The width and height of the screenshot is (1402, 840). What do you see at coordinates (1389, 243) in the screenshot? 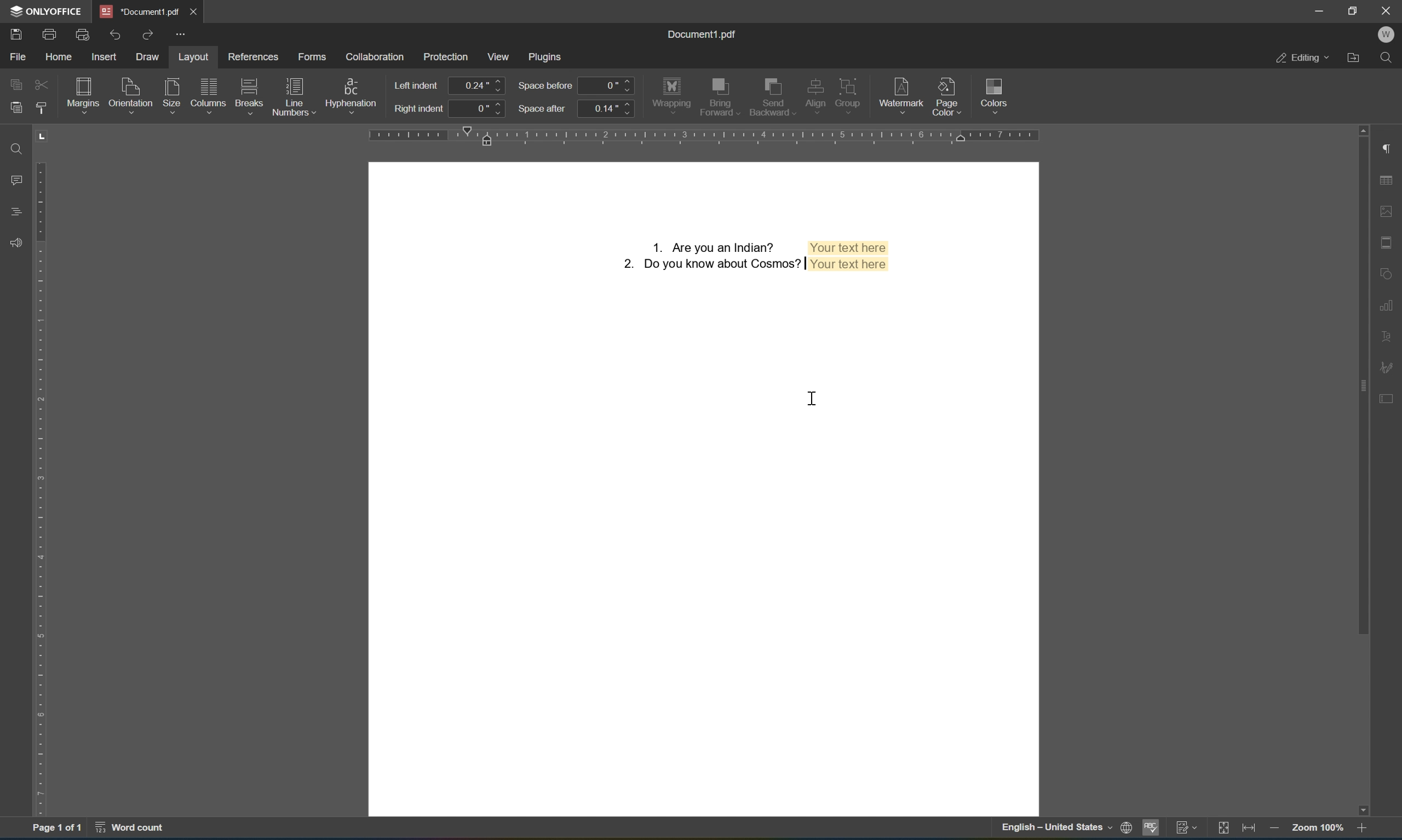
I see `header & footer settings` at bounding box center [1389, 243].